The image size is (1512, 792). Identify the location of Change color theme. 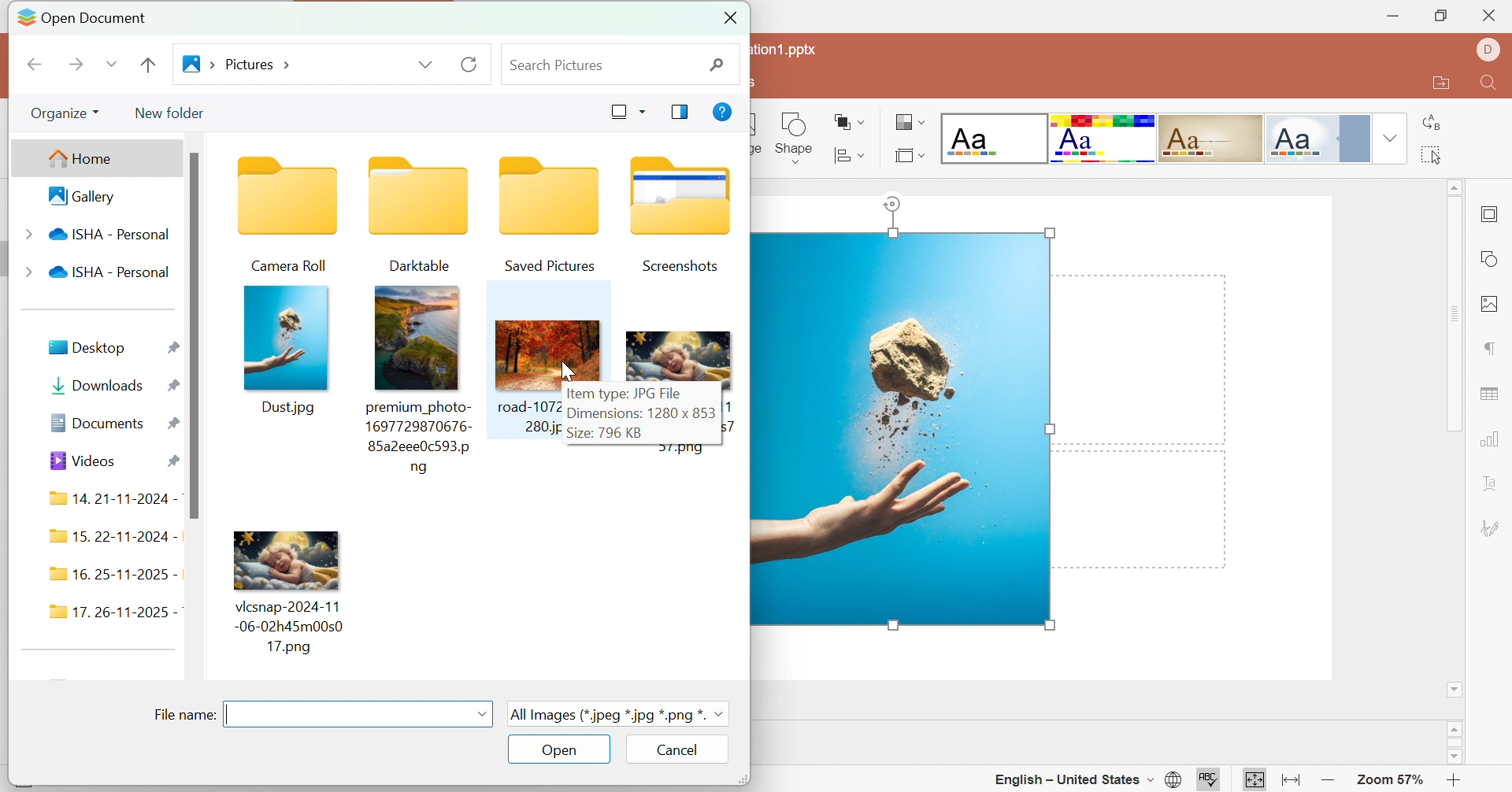
(908, 122).